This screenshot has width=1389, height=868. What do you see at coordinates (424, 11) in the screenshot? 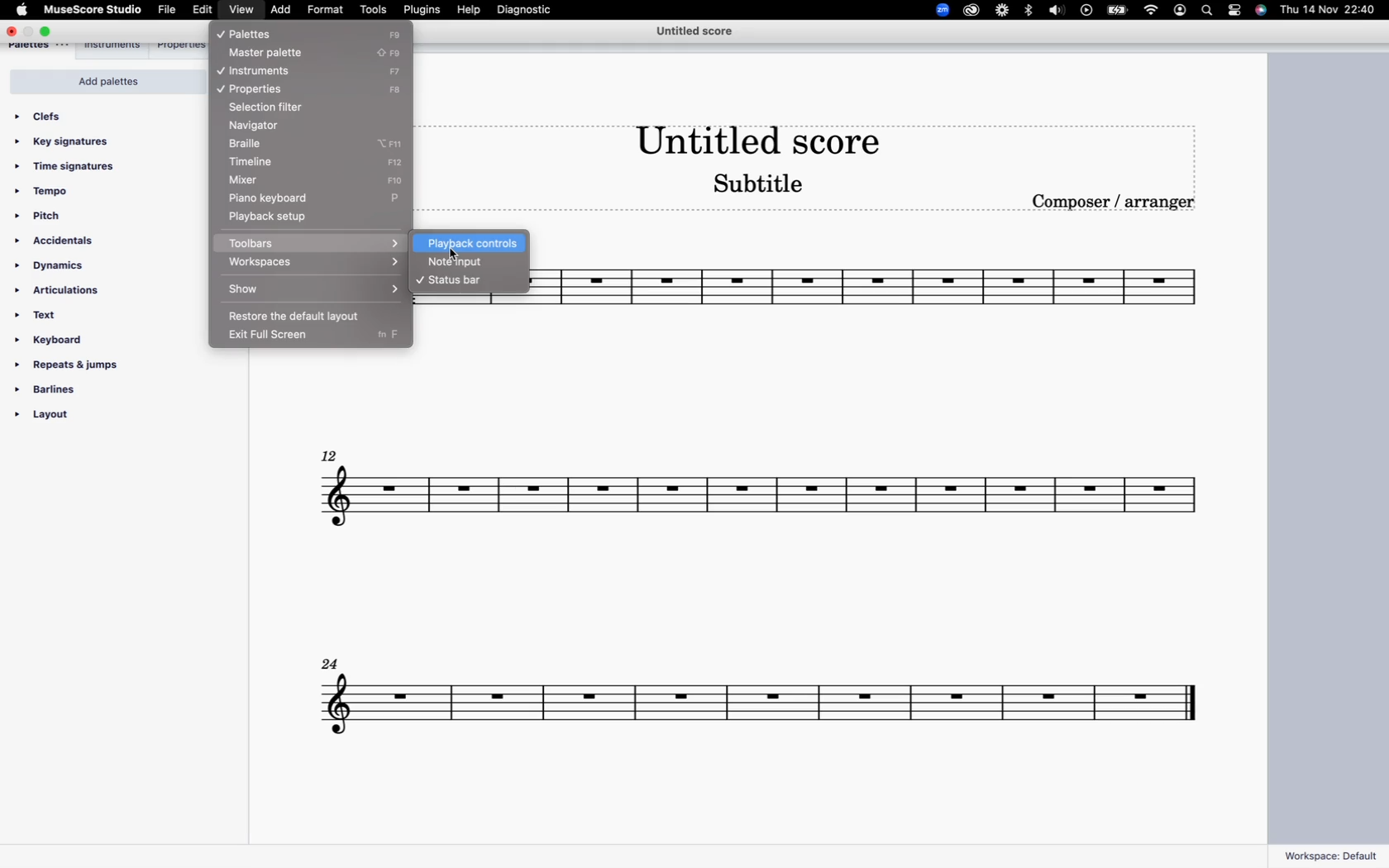
I see `plugins` at bounding box center [424, 11].